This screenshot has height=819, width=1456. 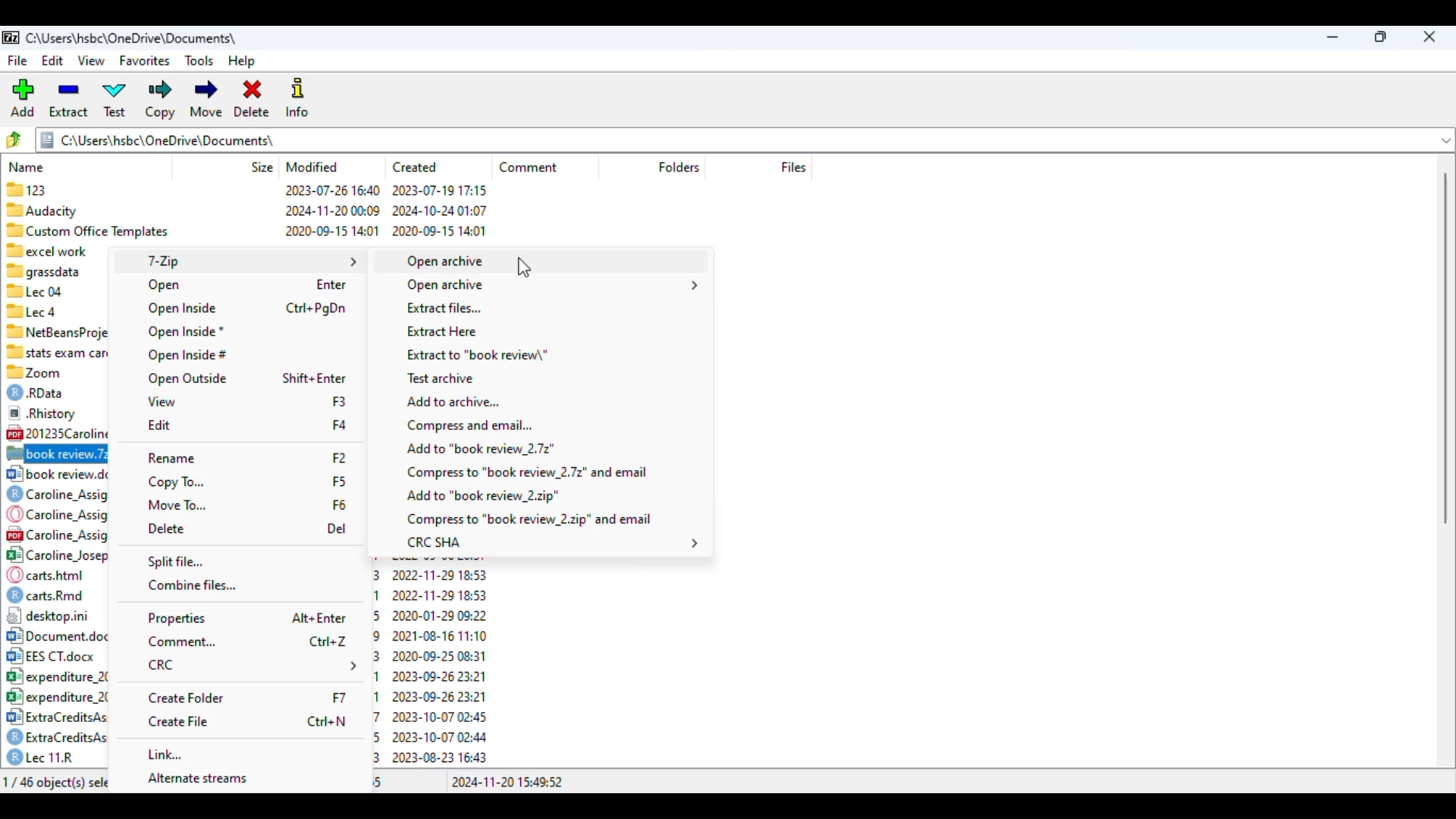 I want to click on minimize, so click(x=1334, y=38).